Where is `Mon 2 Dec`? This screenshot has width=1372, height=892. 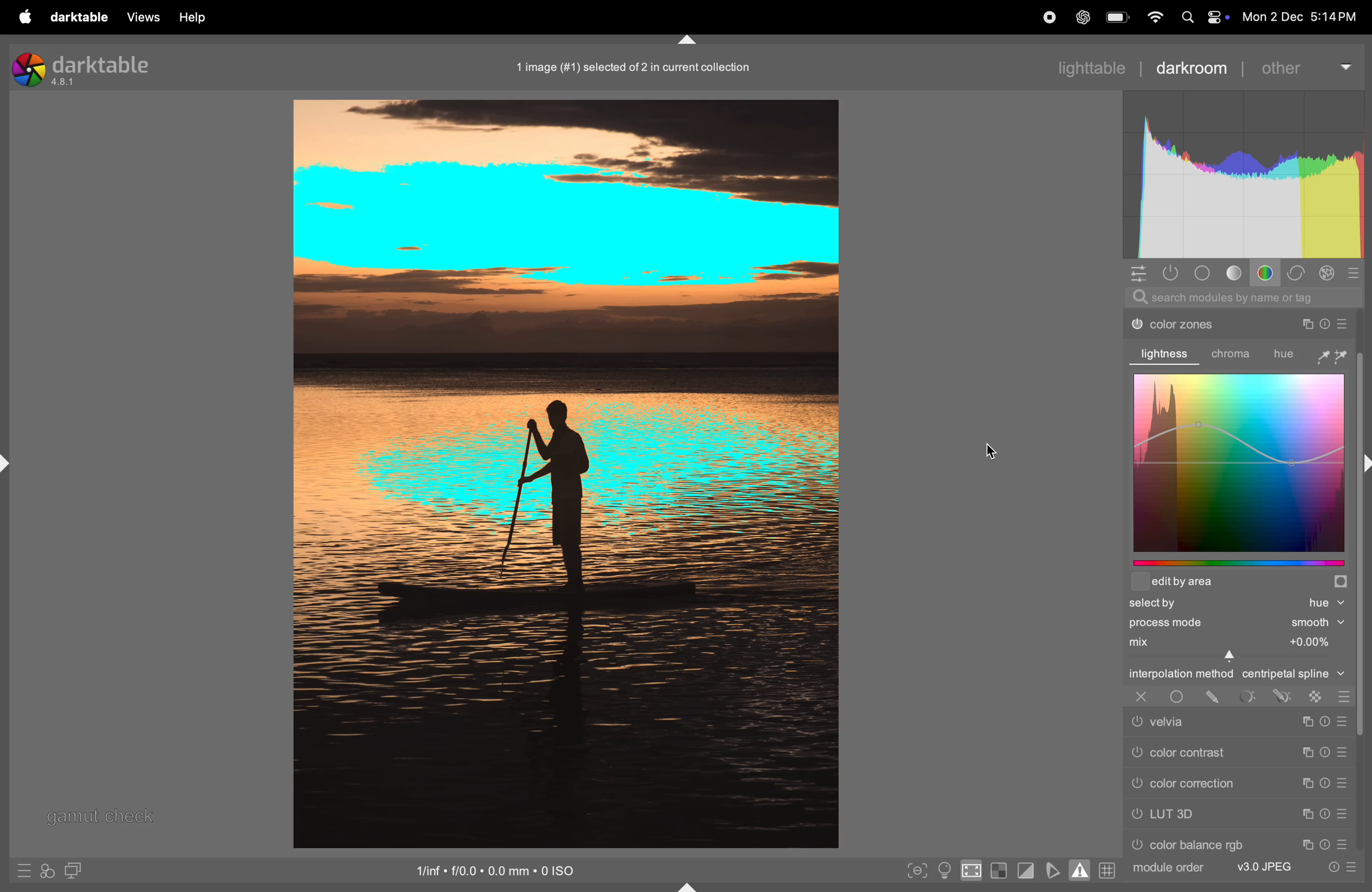
Mon 2 Dec is located at coordinates (1272, 17).